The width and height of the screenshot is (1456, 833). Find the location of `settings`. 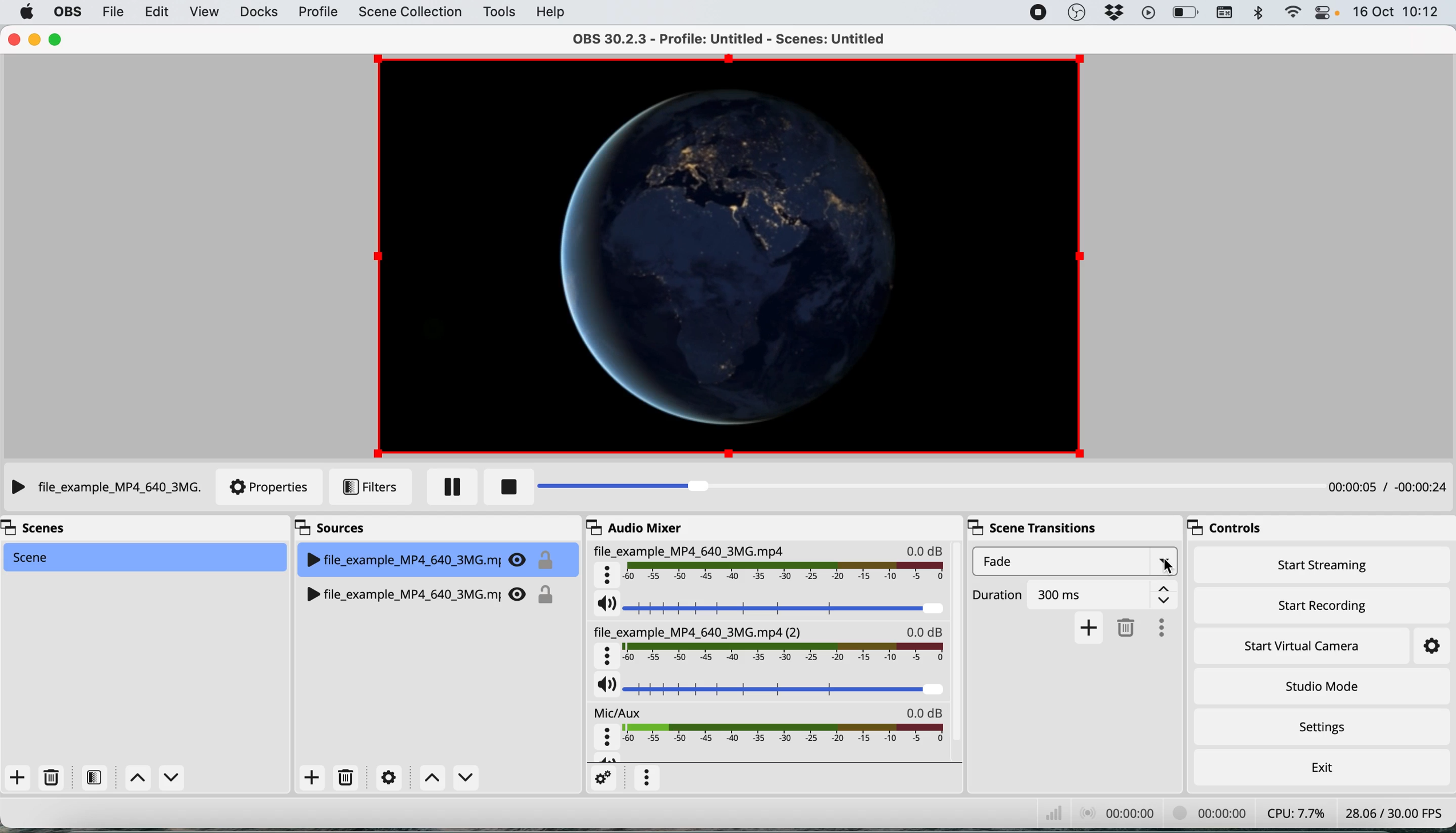

settings is located at coordinates (1320, 727).